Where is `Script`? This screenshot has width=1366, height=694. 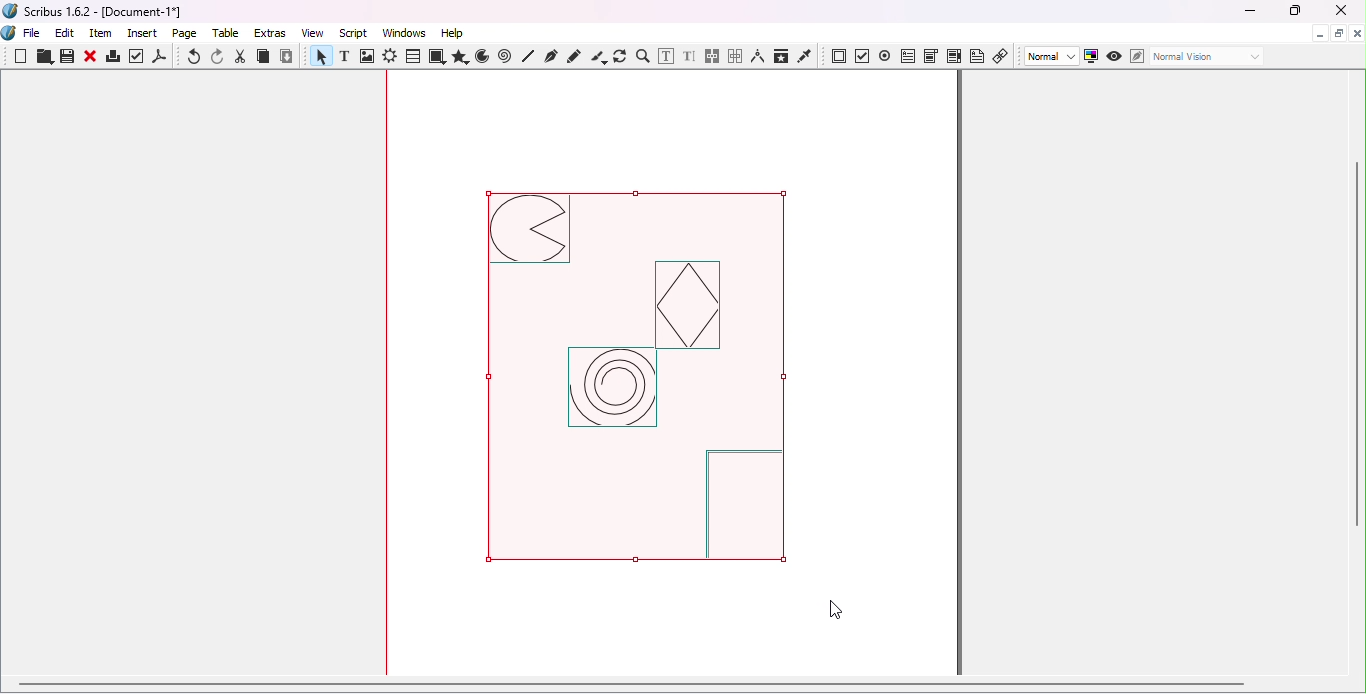 Script is located at coordinates (356, 32).